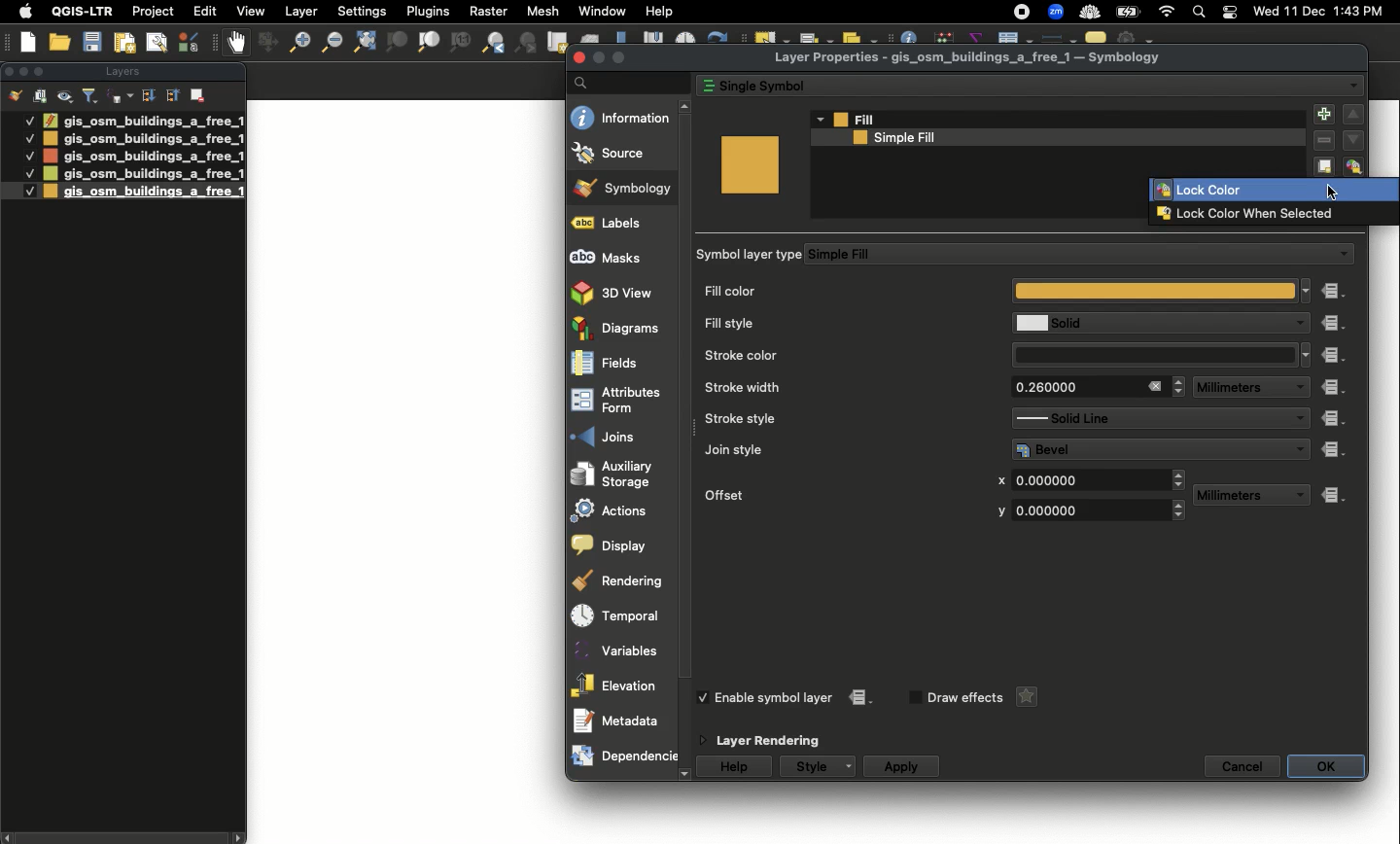  What do you see at coordinates (659, 12) in the screenshot?
I see `Help` at bounding box center [659, 12].